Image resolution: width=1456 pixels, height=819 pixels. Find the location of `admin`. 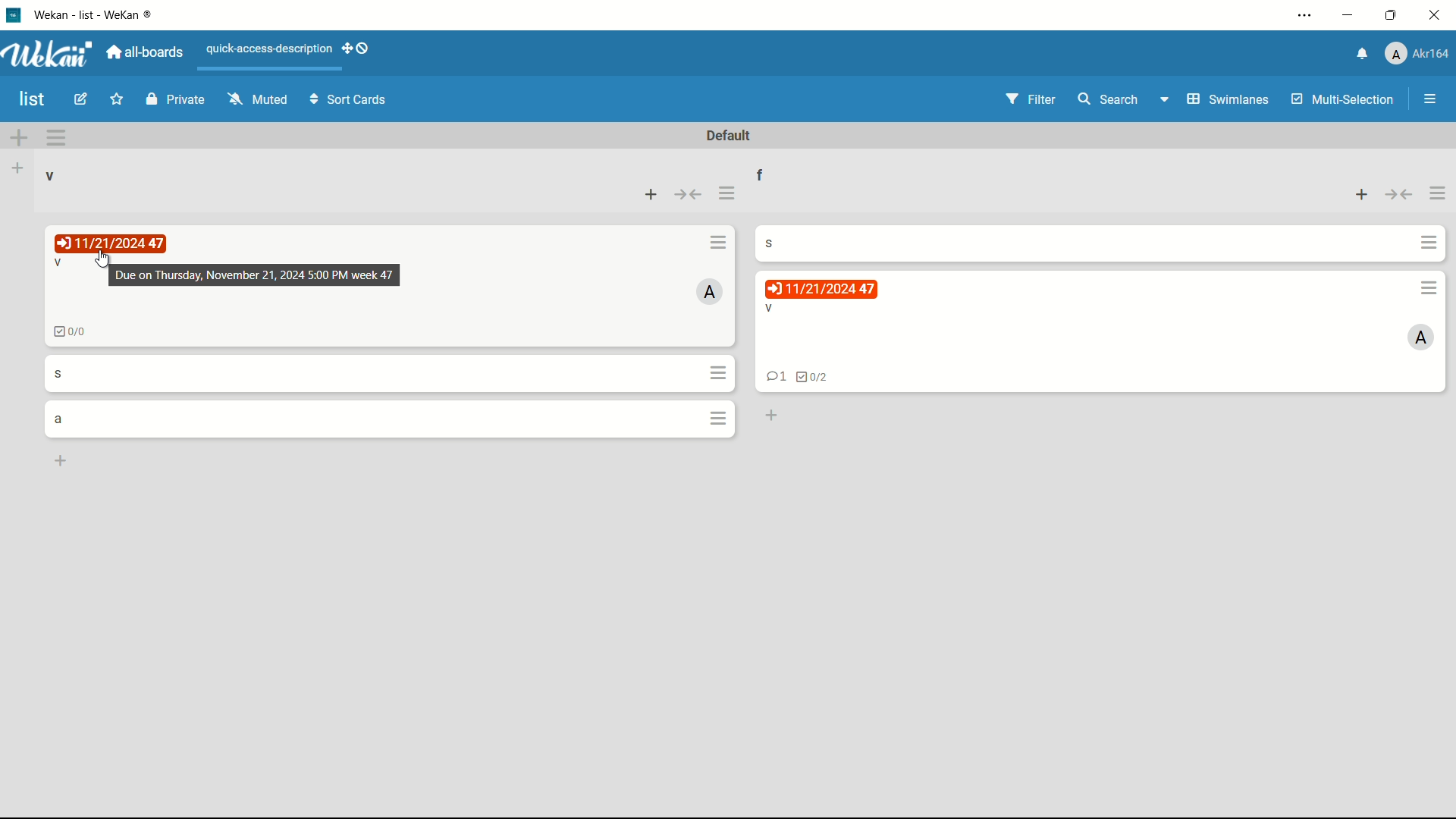

admin is located at coordinates (1421, 338).